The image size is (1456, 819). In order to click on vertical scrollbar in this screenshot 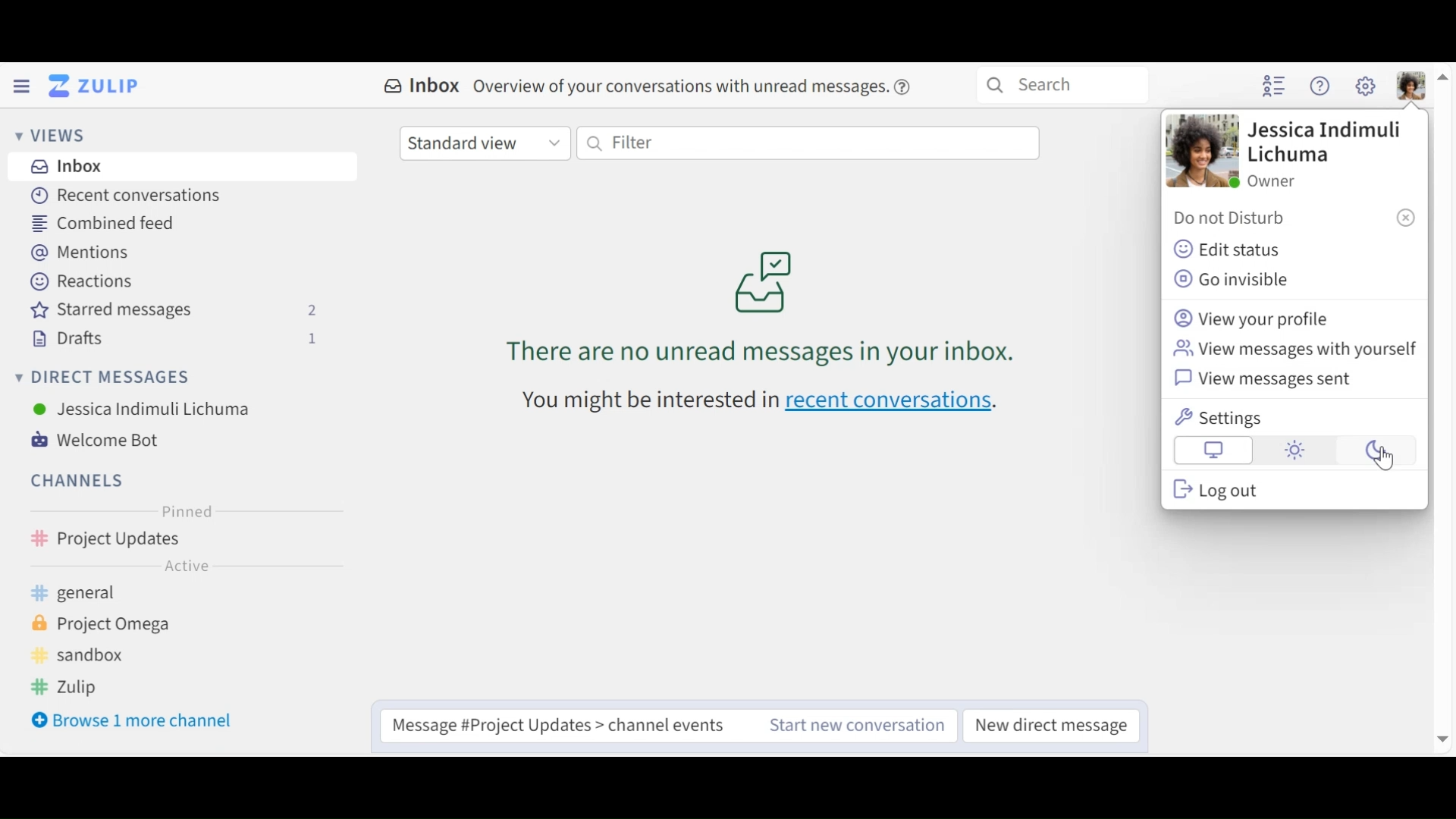, I will do `click(1443, 409)`.